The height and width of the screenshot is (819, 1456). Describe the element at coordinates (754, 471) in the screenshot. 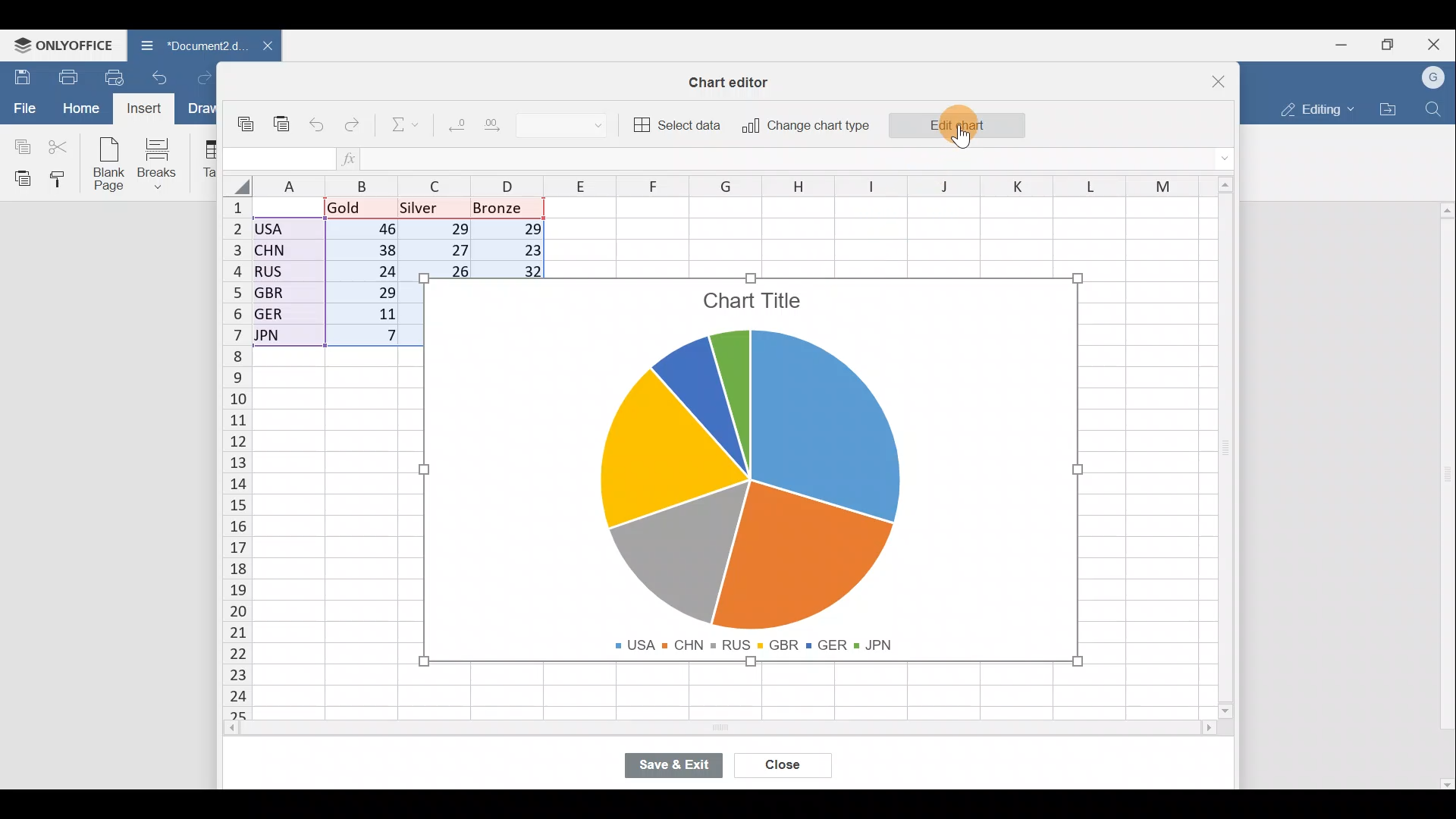

I see `Chart image` at that location.